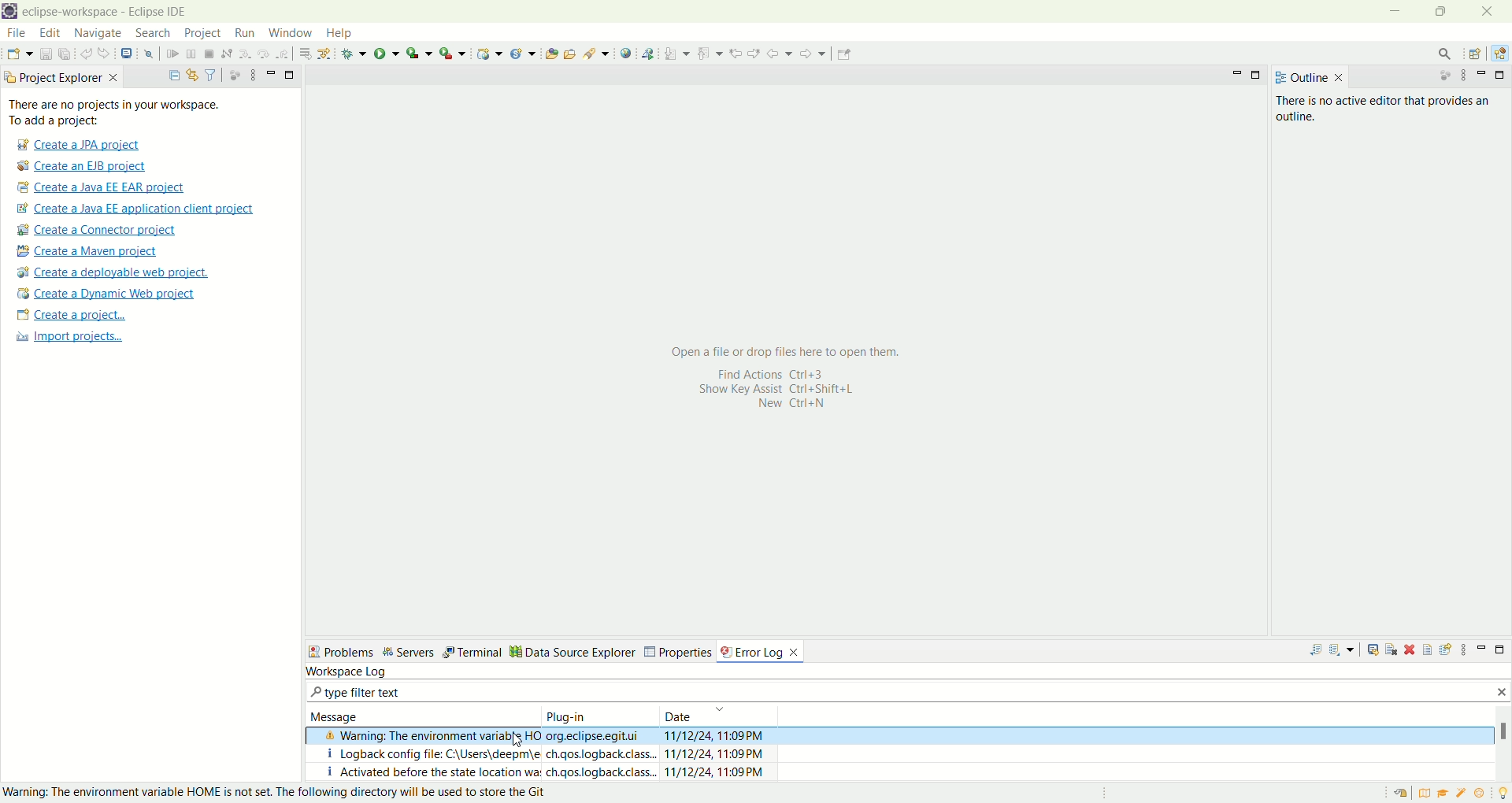  I want to click on there is no active editor that provides an outline, so click(1389, 106).